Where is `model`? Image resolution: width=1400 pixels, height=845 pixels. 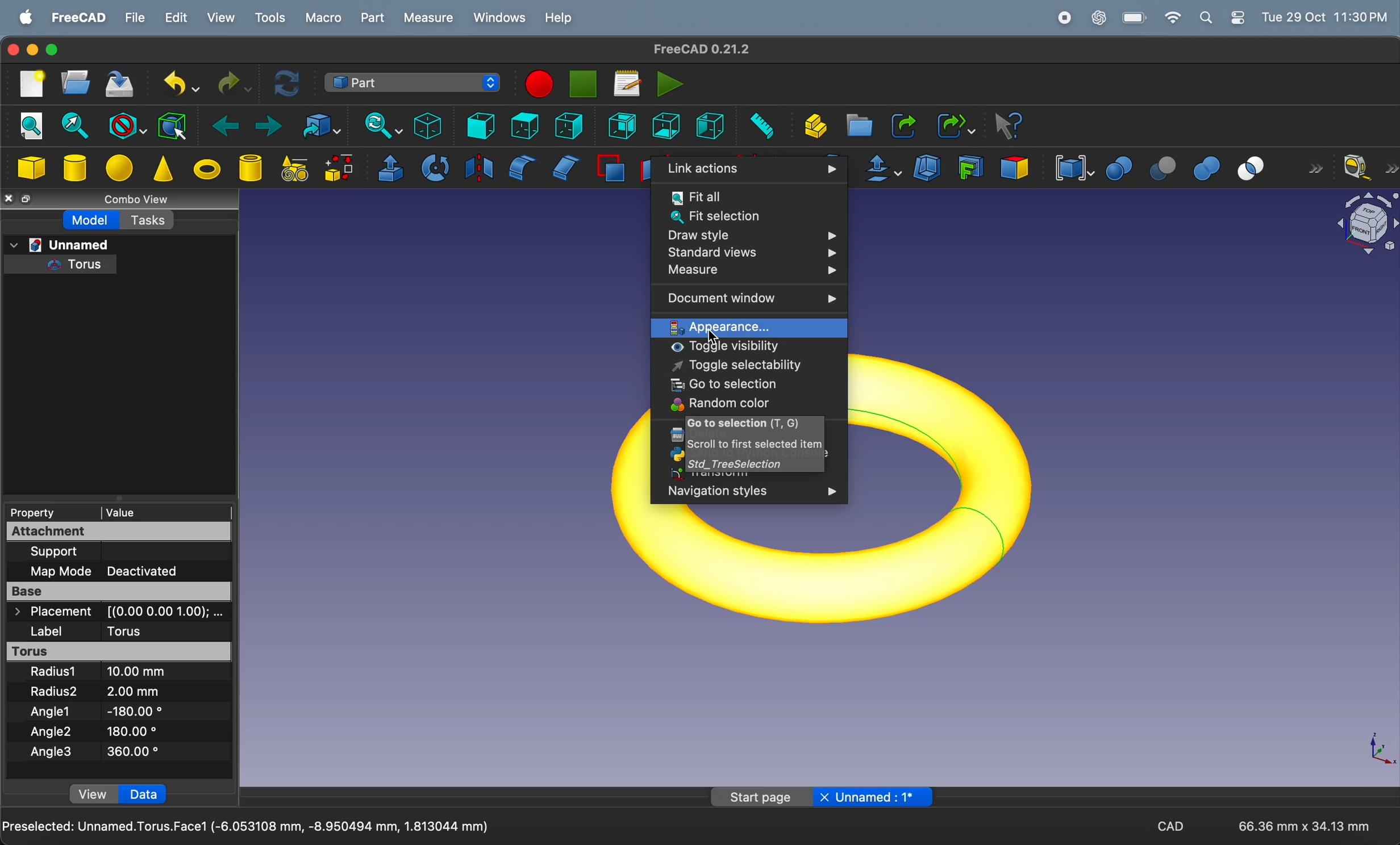
model is located at coordinates (92, 219).